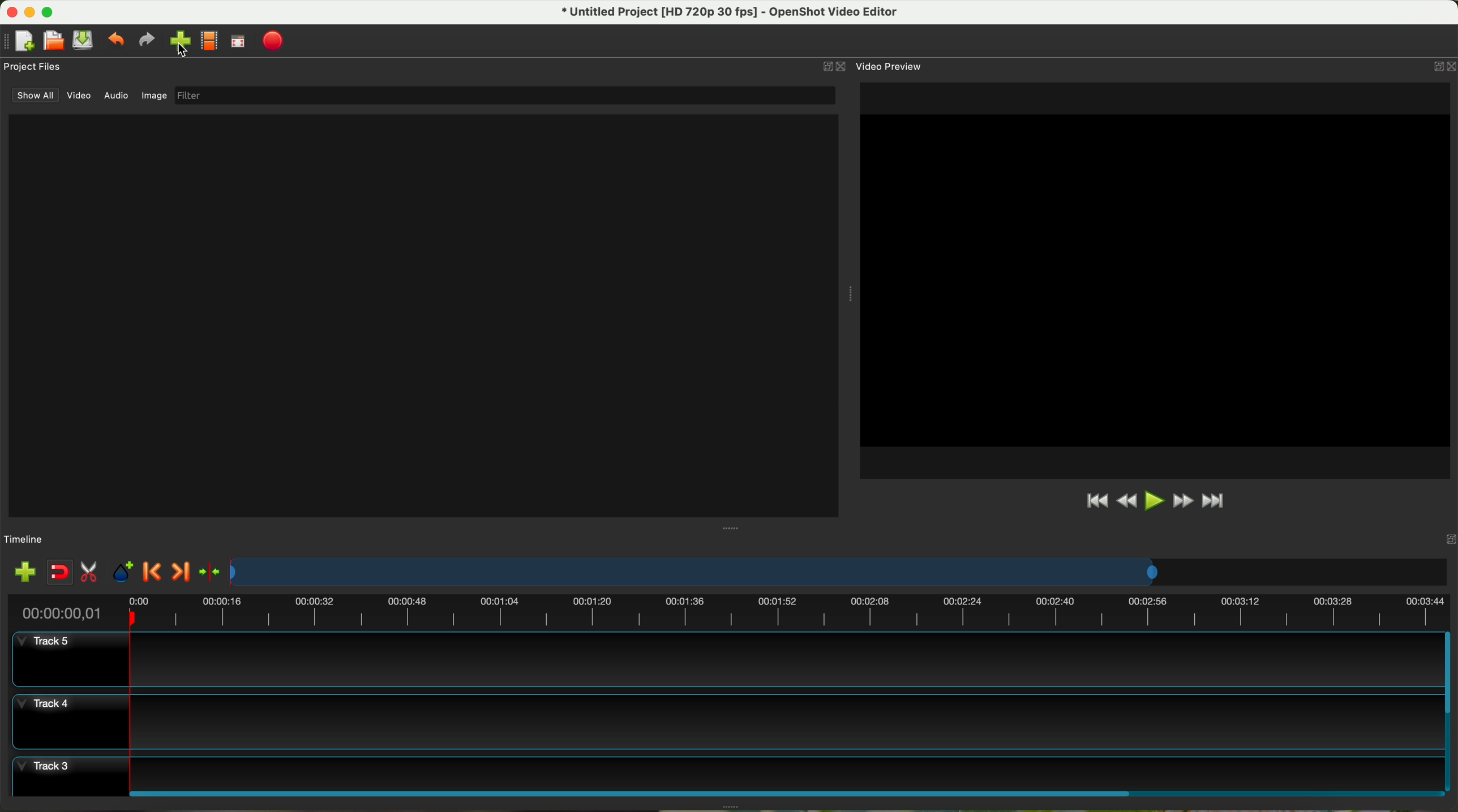 The width and height of the screenshot is (1458, 812). I want to click on add mark, so click(123, 572).